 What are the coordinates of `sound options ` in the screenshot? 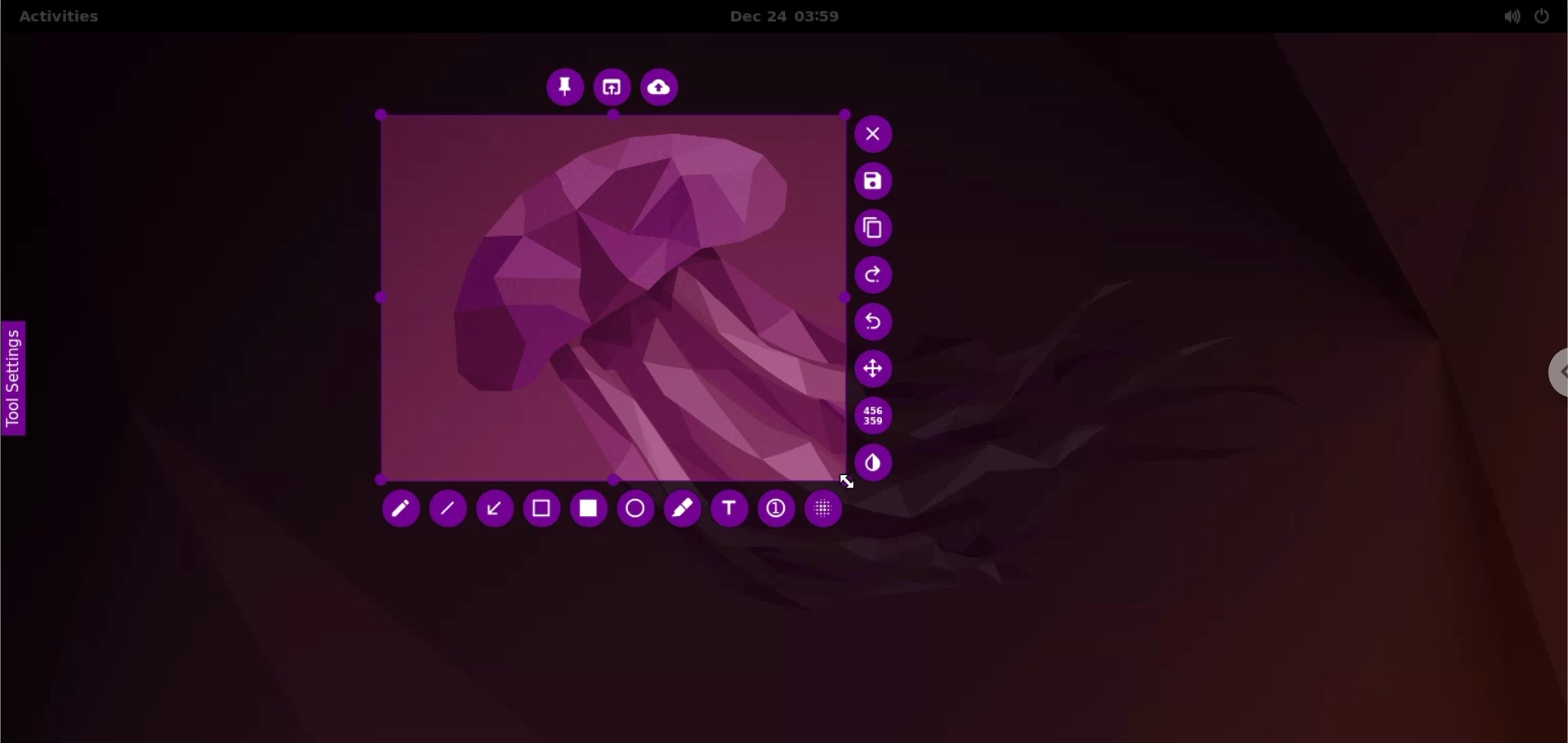 It's located at (1508, 17).